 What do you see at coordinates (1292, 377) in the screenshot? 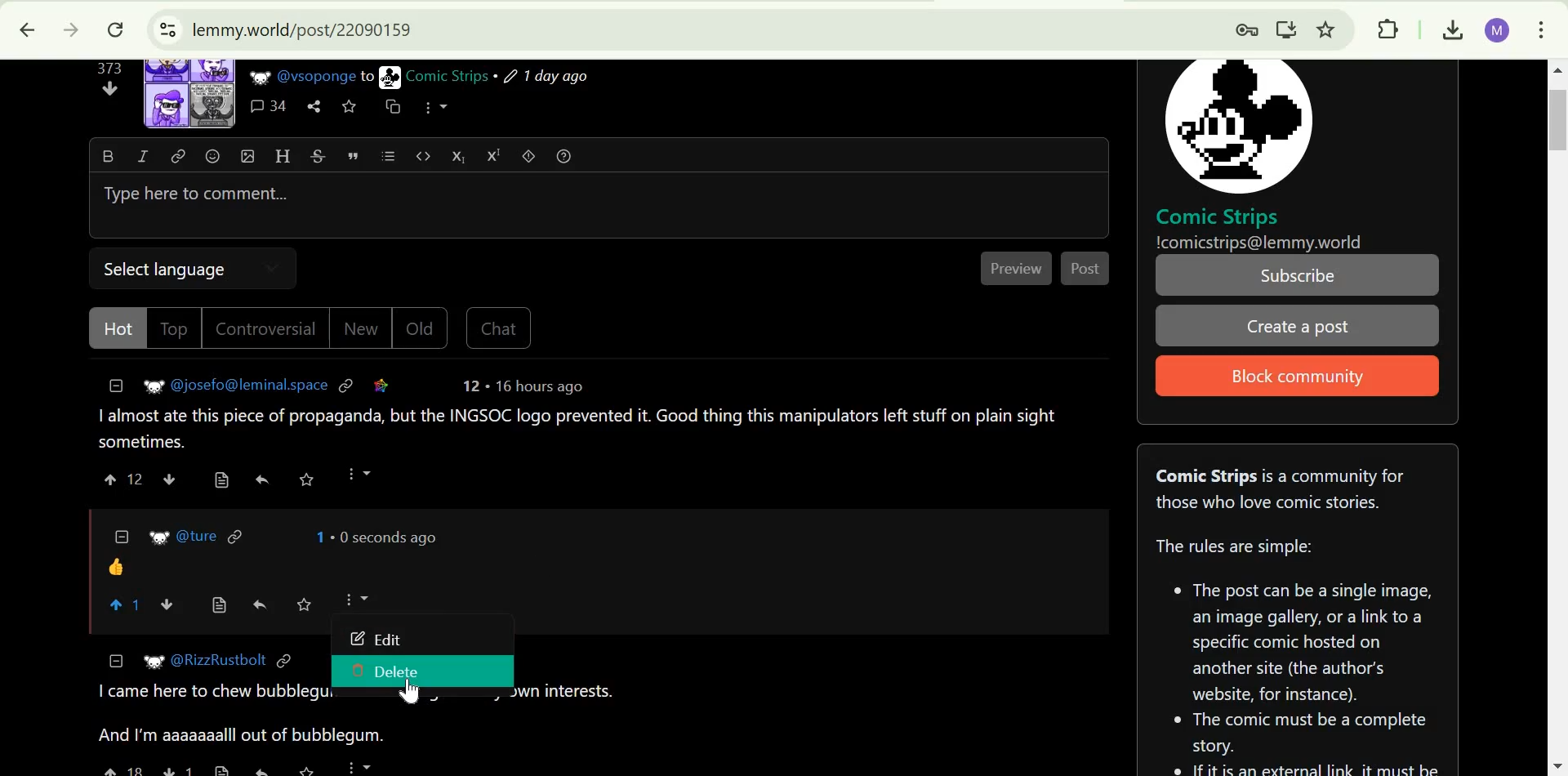
I see `Block community` at bounding box center [1292, 377].